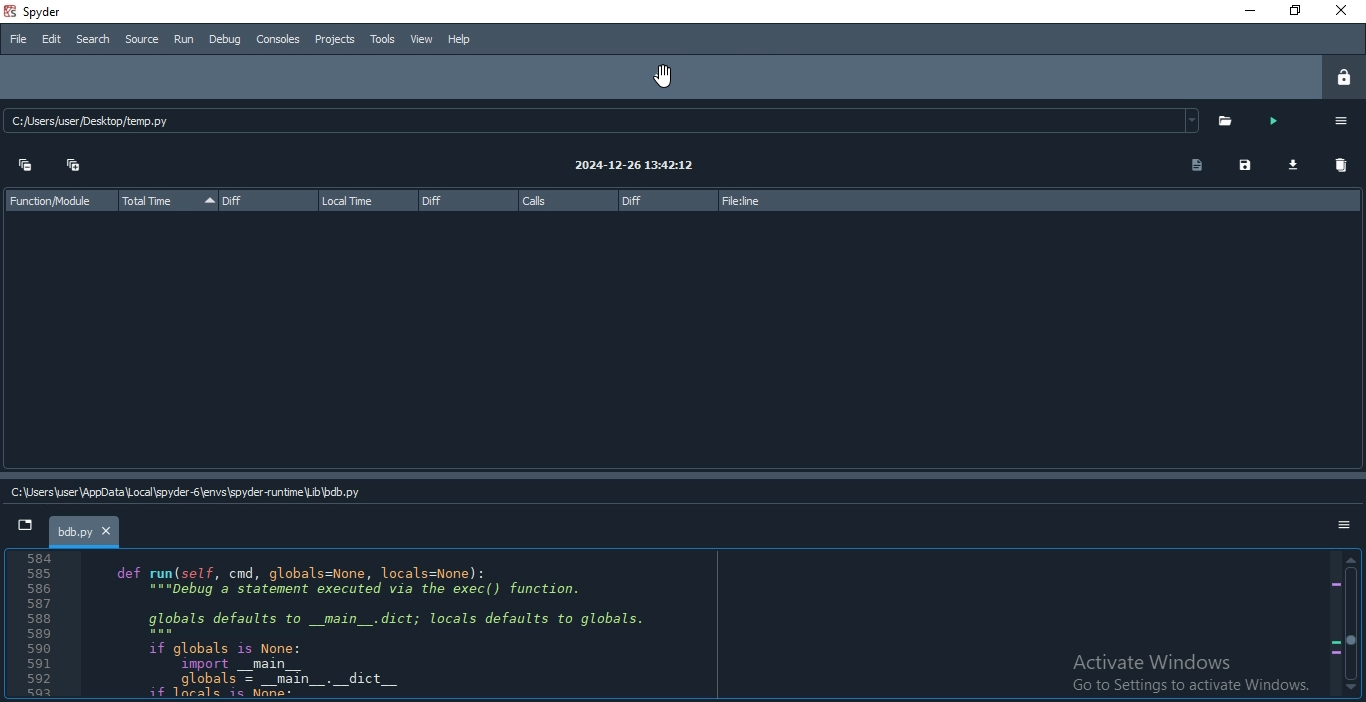 This screenshot has height=702, width=1366. What do you see at coordinates (641, 164) in the screenshot?
I see `2024-12-26 13:42:12` at bounding box center [641, 164].